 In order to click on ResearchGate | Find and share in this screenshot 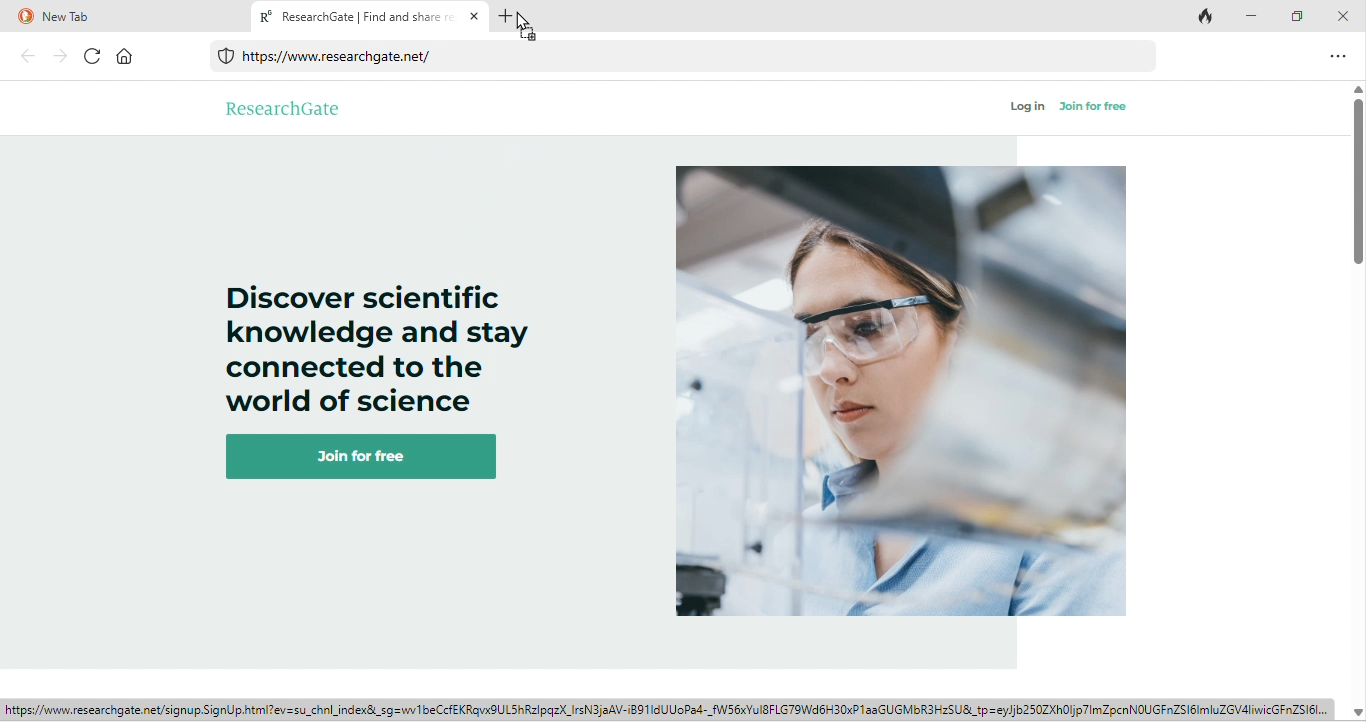, I will do `click(371, 16)`.